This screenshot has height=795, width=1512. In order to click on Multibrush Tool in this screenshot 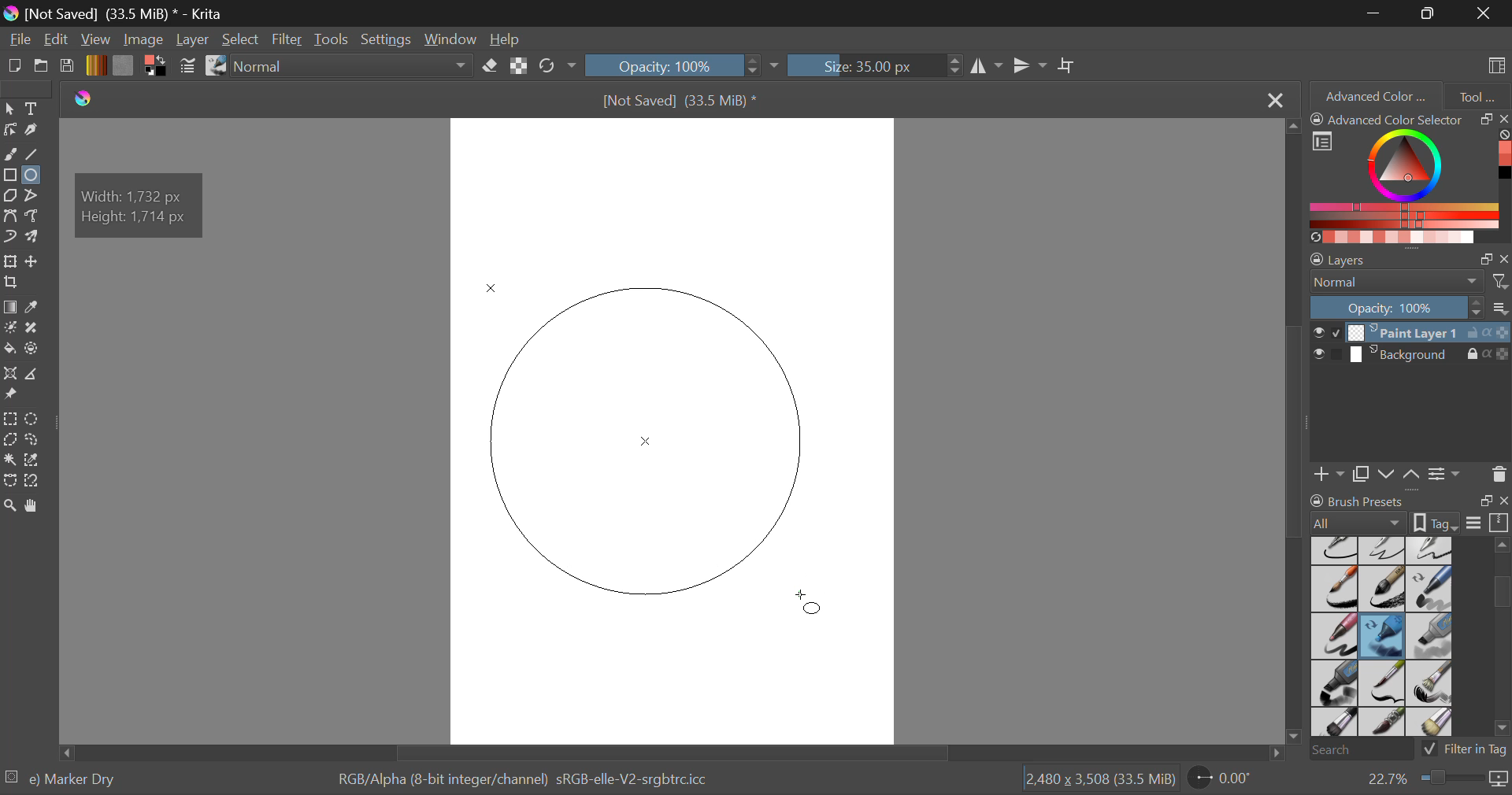, I will do `click(37, 238)`.